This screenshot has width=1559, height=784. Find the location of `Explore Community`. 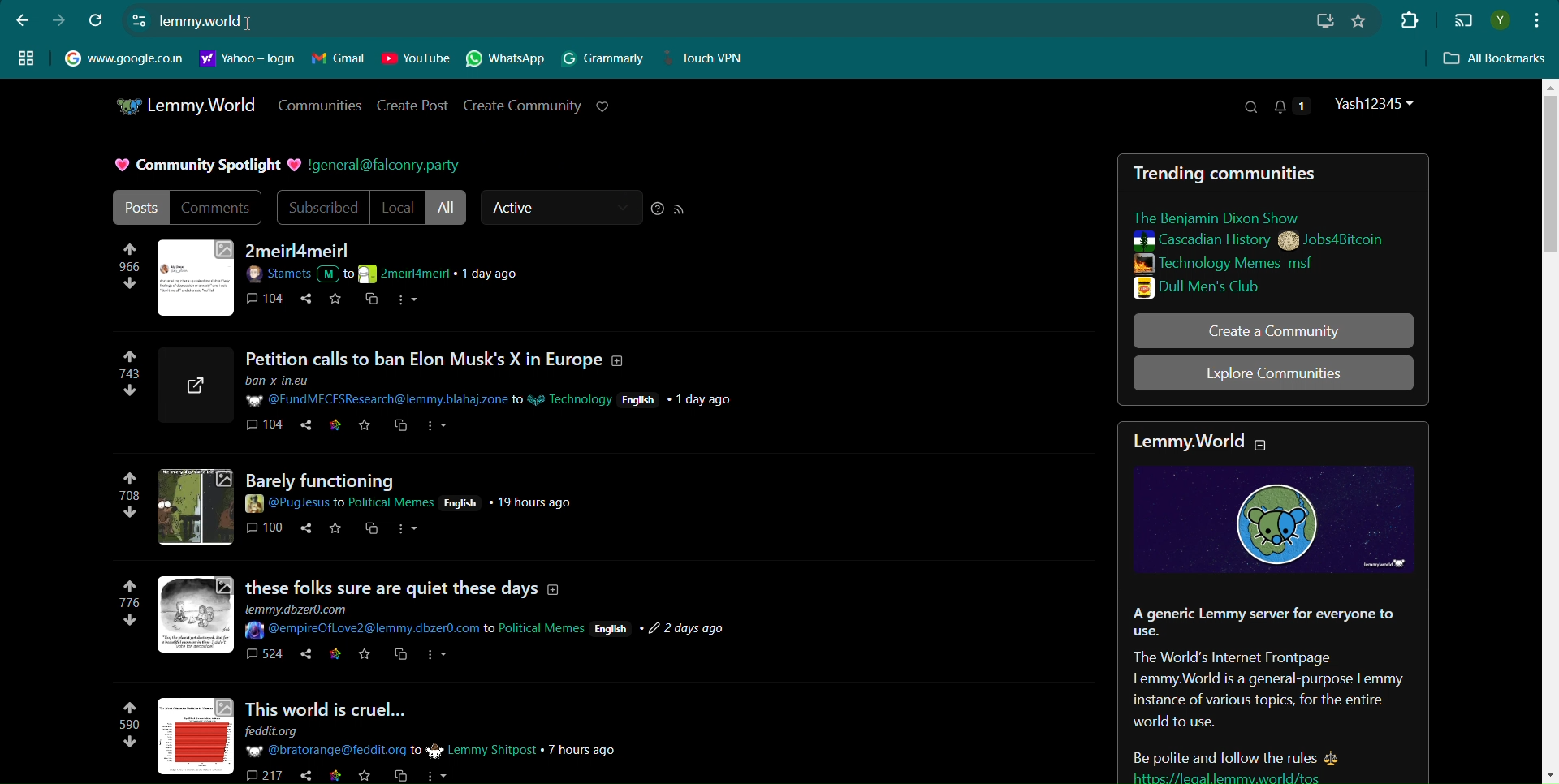

Explore Community is located at coordinates (1273, 373).